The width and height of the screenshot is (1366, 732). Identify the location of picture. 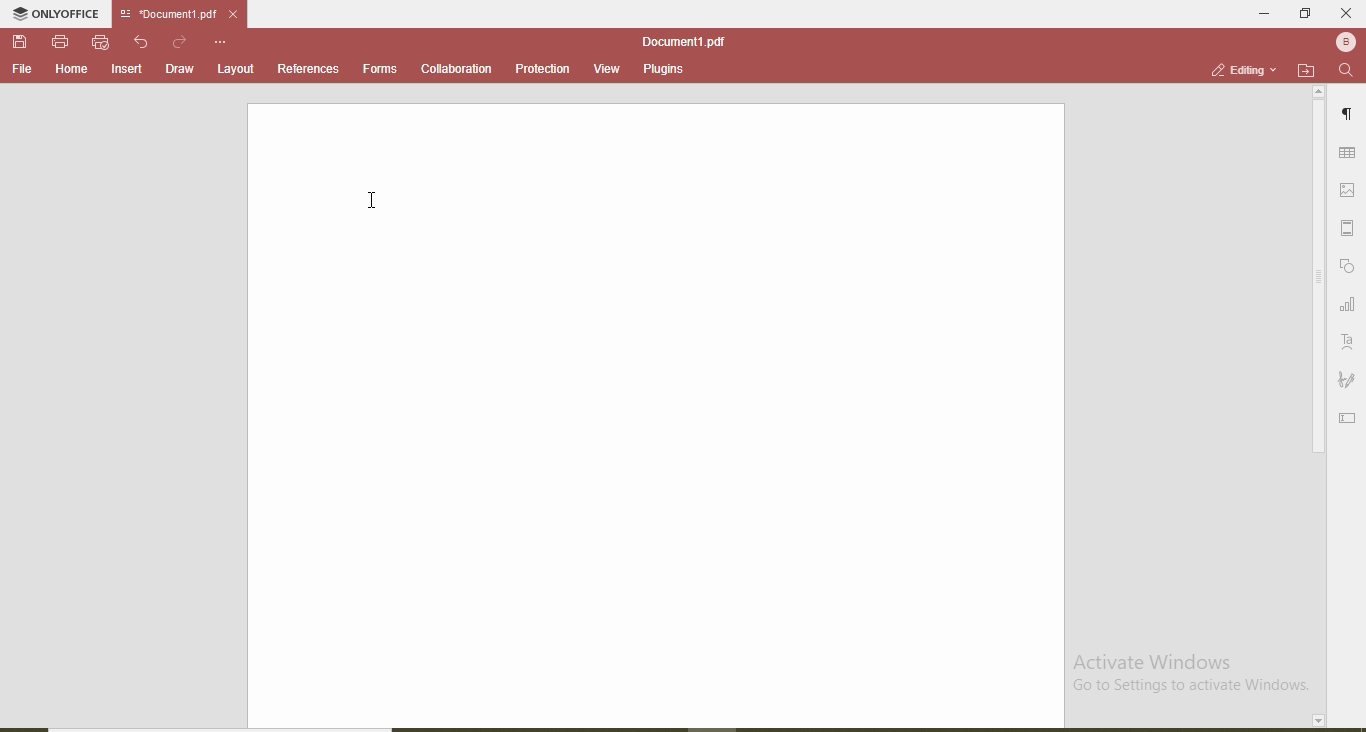
(1351, 189).